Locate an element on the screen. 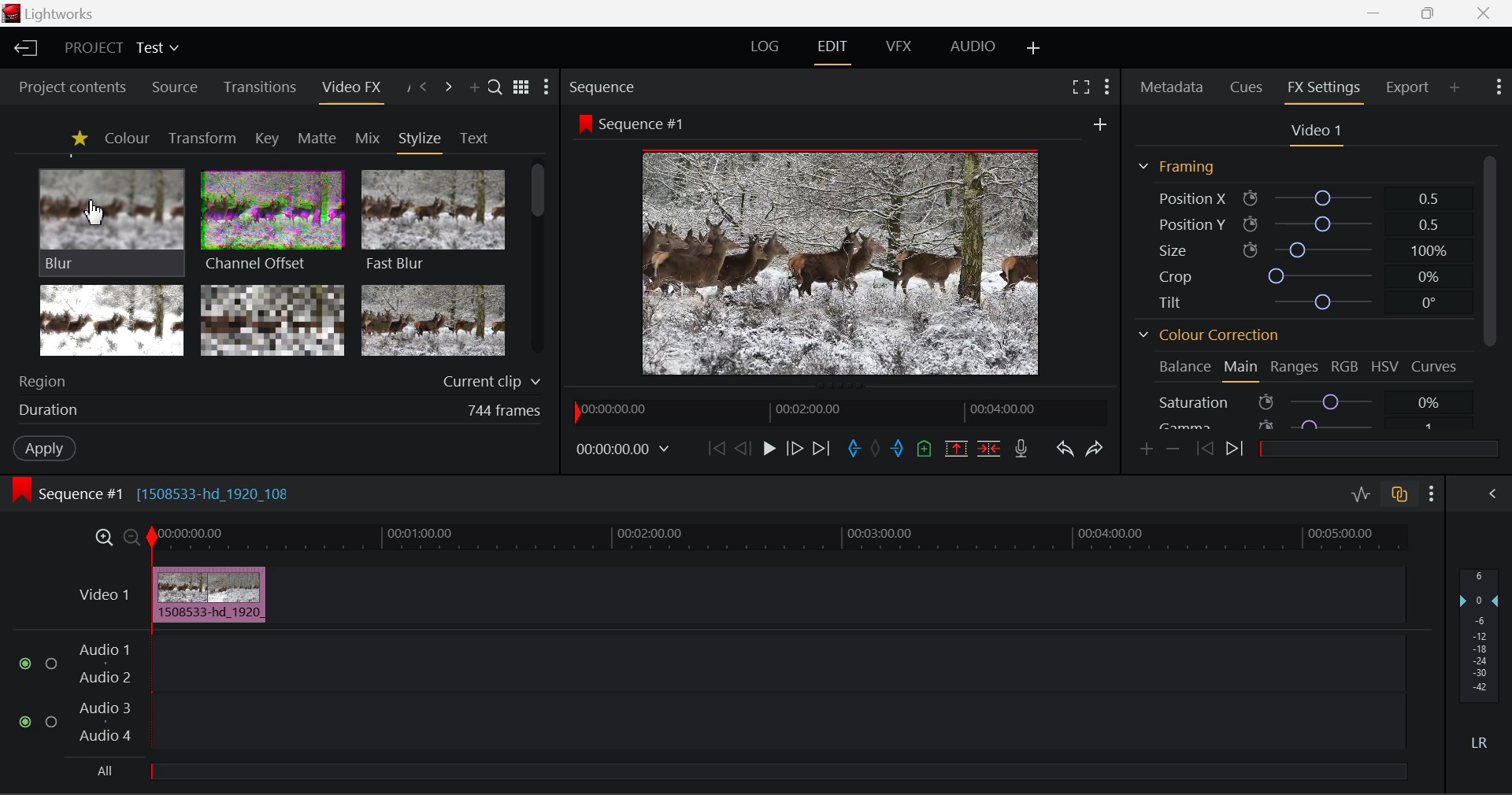  Show Settings is located at coordinates (1432, 491).